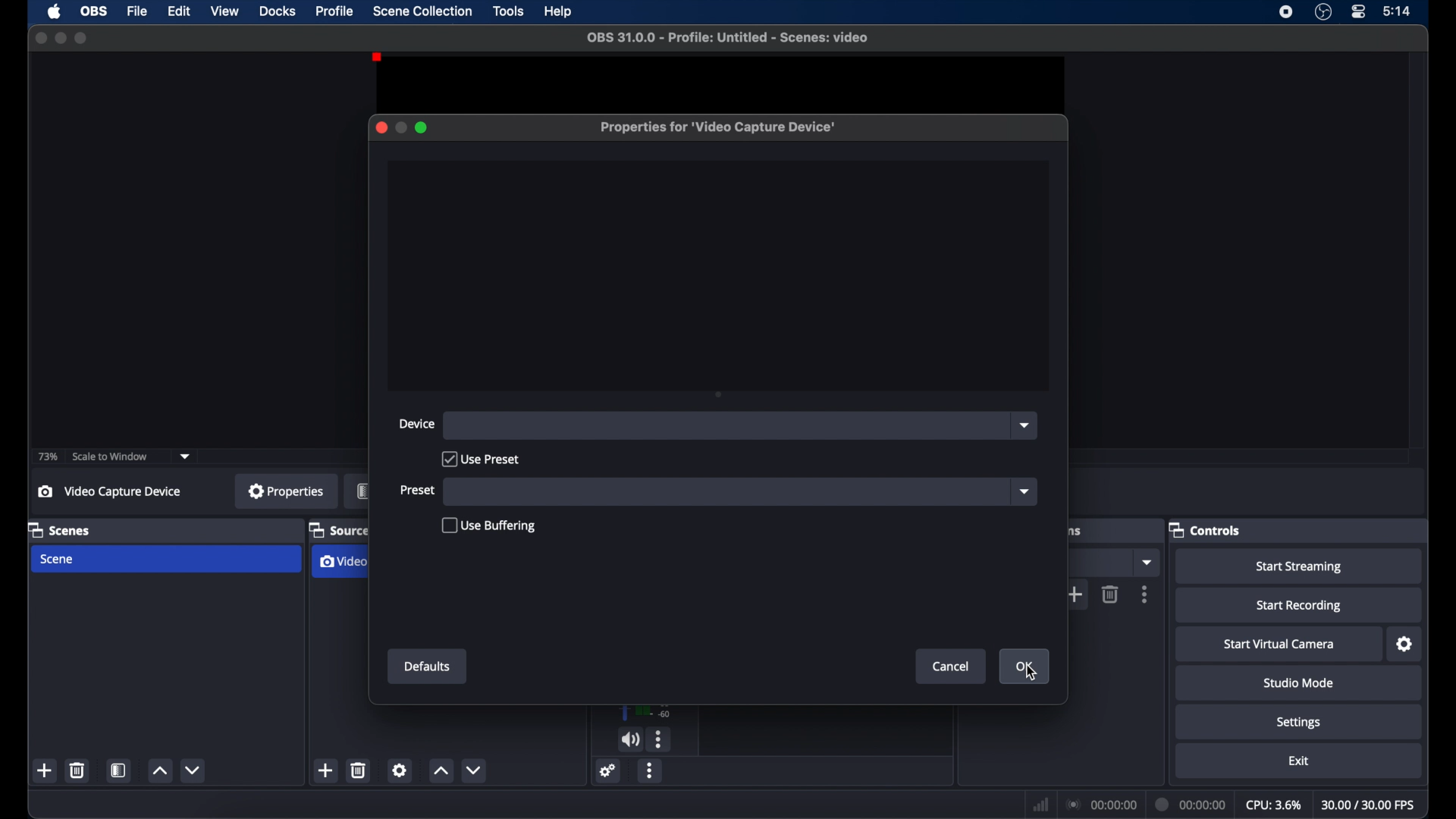  Describe the element at coordinates (44, 771) in the screenshot. I see `add` at that location.